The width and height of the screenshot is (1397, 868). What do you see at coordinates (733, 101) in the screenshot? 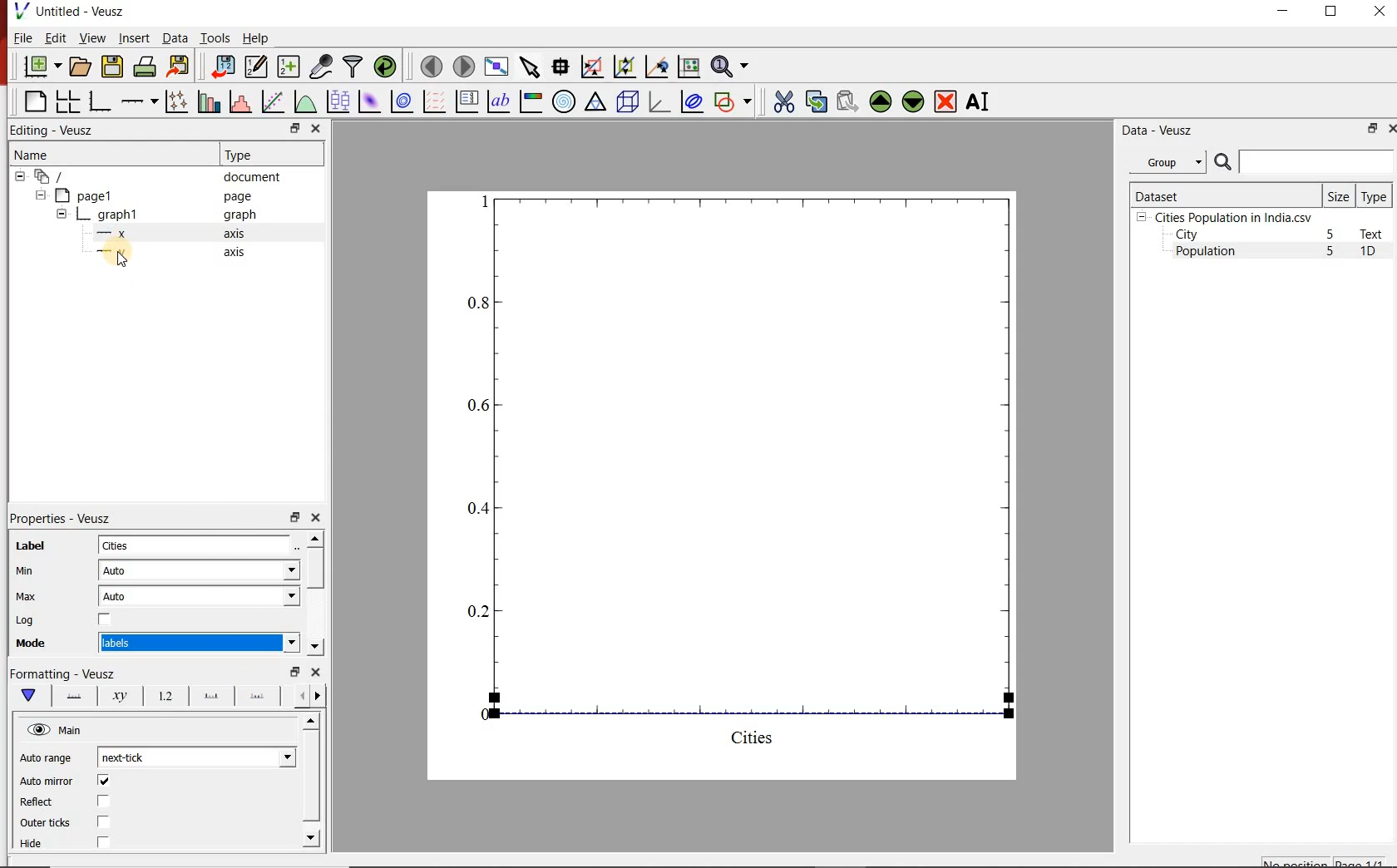
I see `add a shape to the plot` at bounding box center [733, 101].